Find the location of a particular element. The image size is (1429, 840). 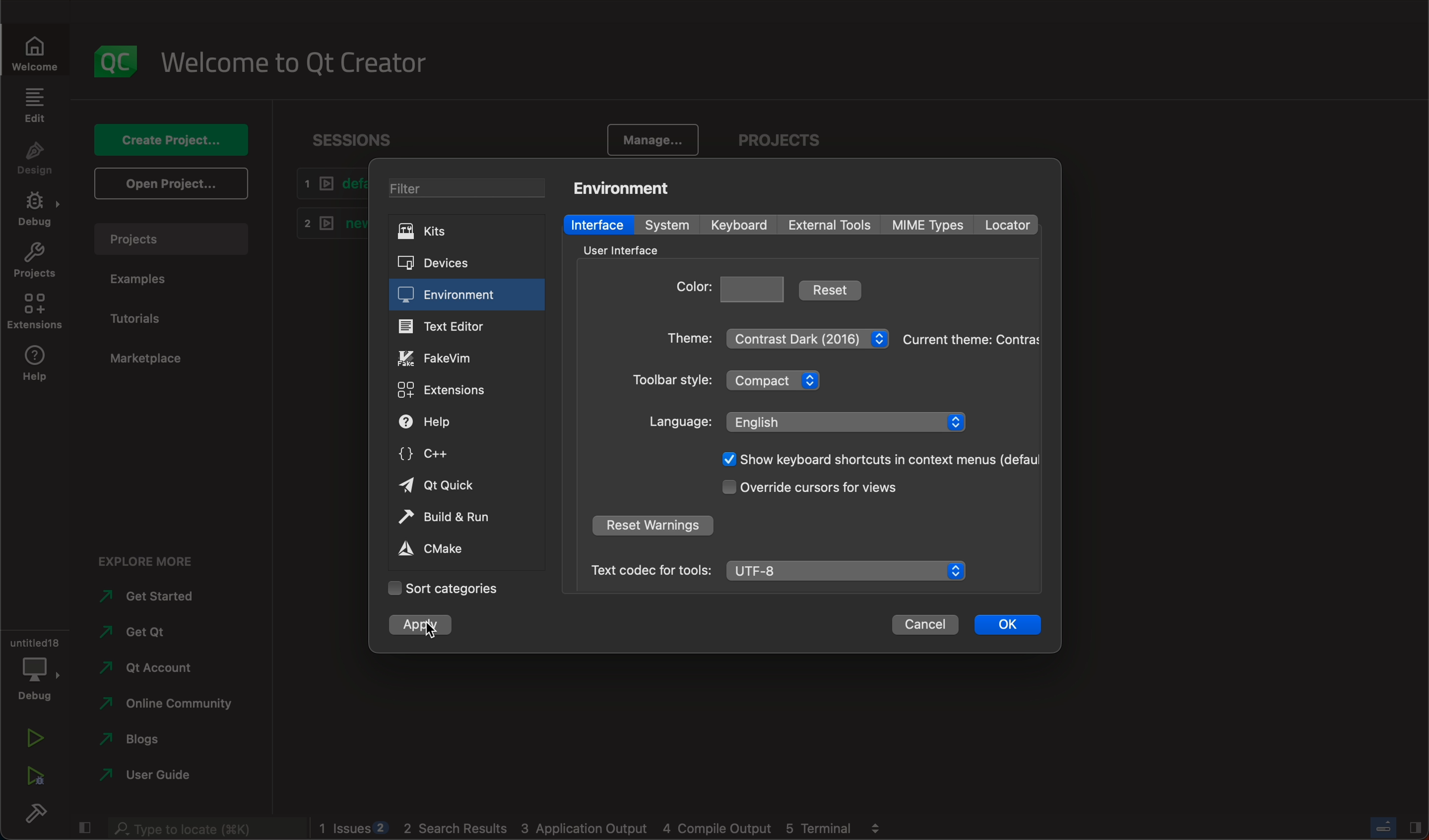

cursor is located at coordinates (429, 629).